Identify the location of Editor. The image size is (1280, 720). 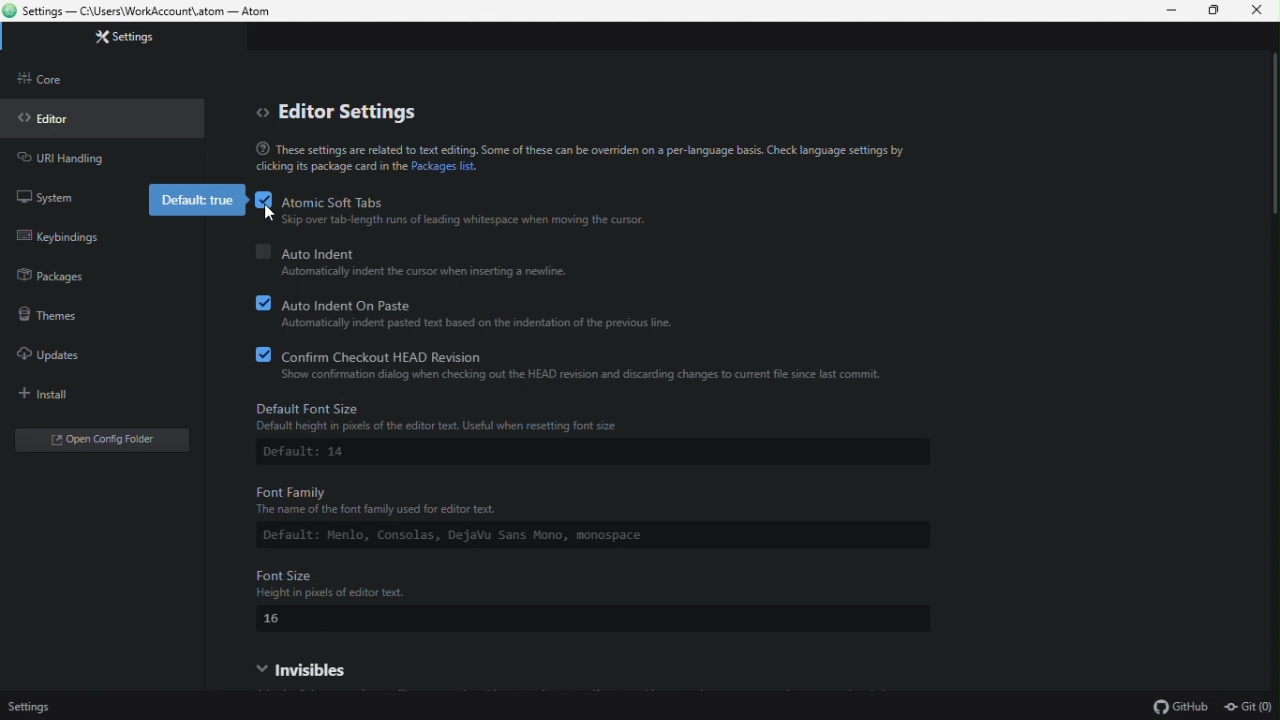
(58, 118).